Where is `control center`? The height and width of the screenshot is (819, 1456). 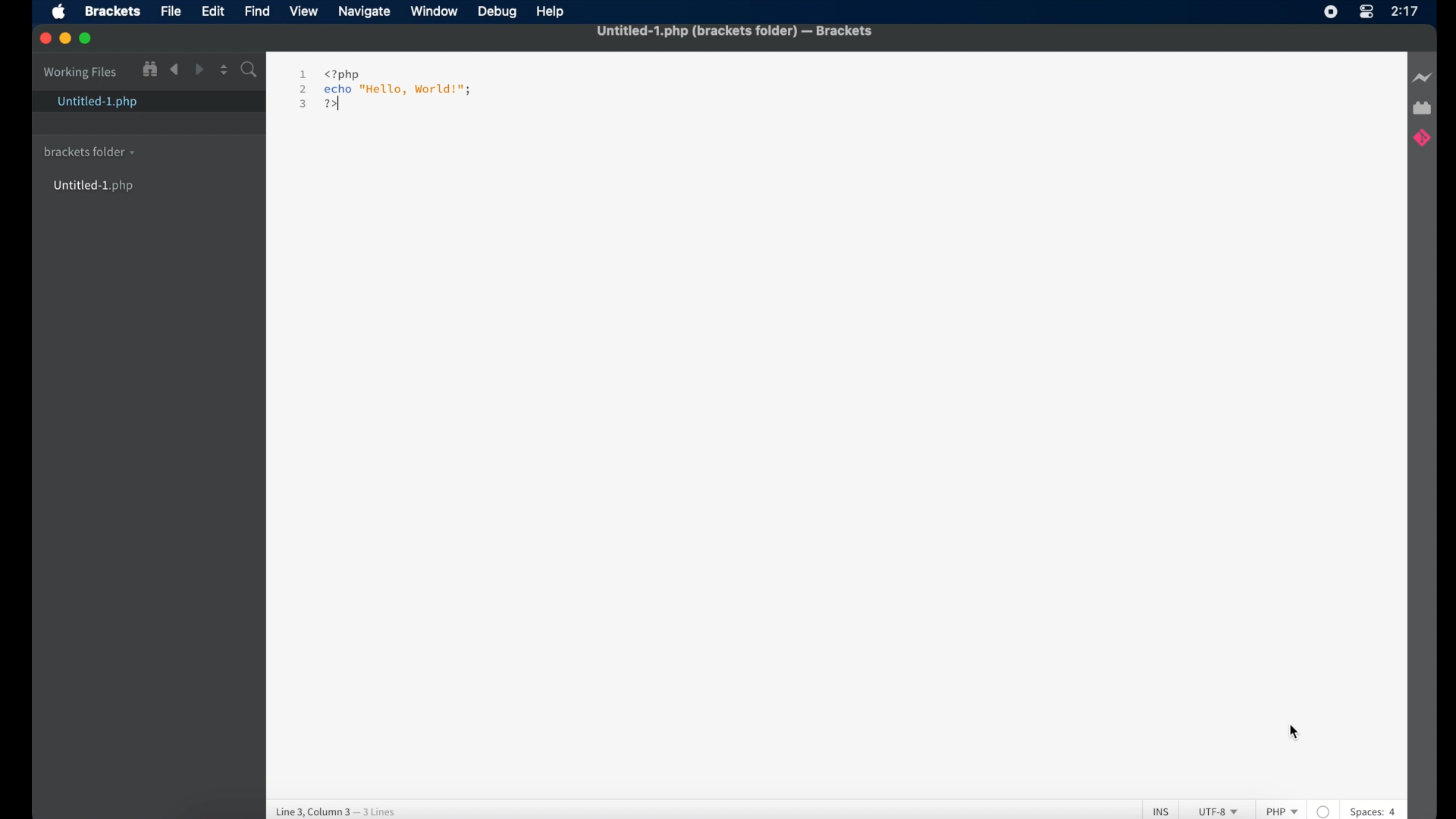 control center is located at coordinates (1366, 13).